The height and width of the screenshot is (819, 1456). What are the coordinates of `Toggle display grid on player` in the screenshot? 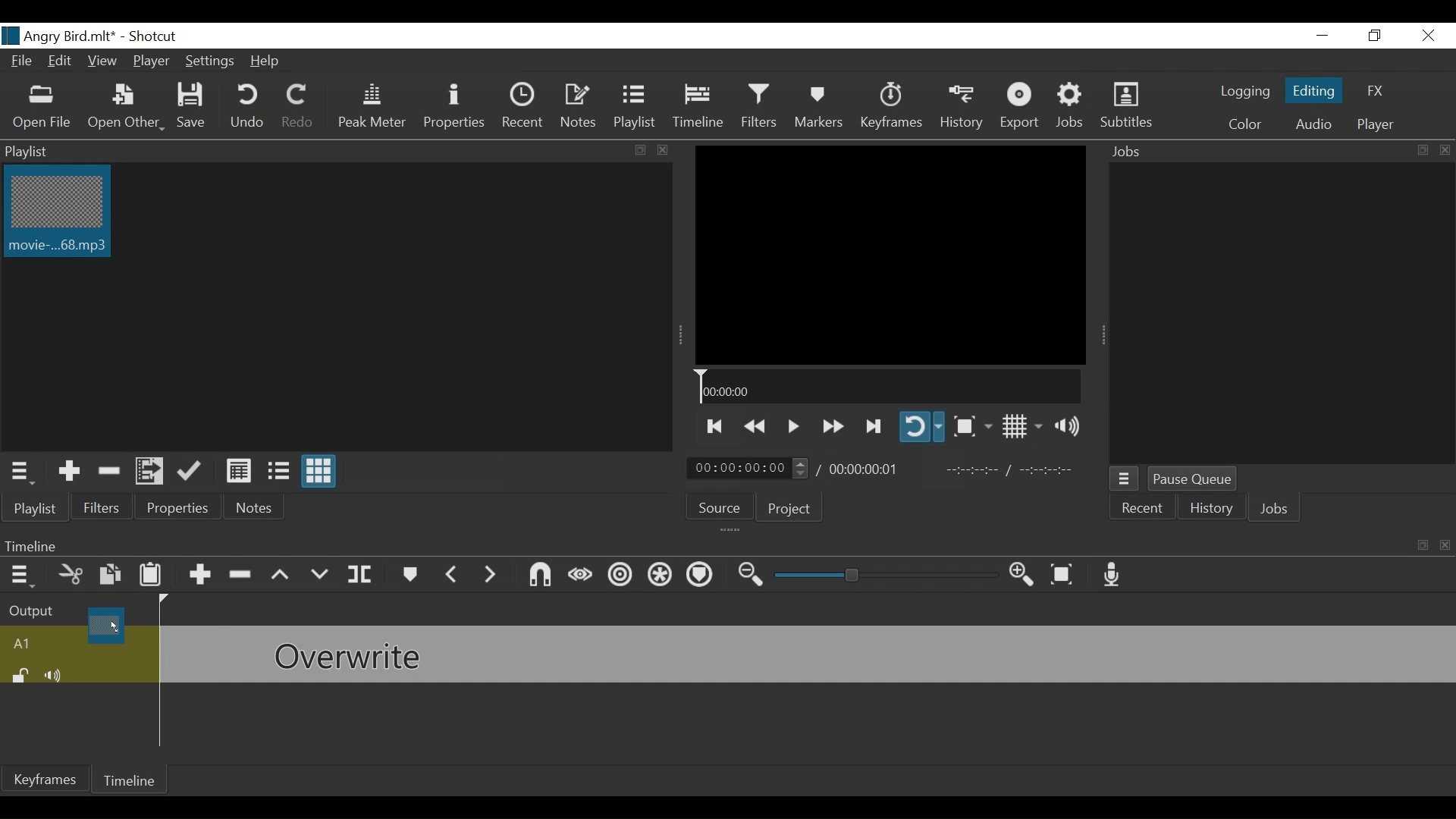 It's located at (1021, 428).